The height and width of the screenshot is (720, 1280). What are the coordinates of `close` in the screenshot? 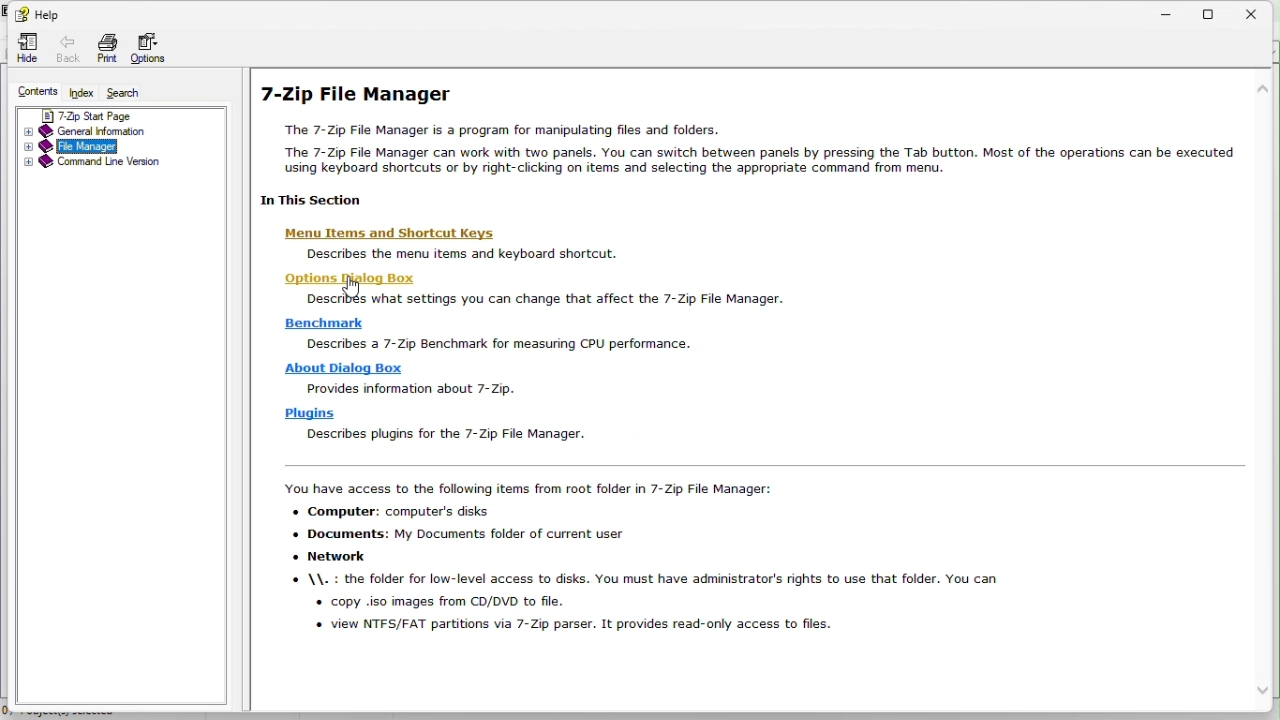 It's located at (1259, 11).